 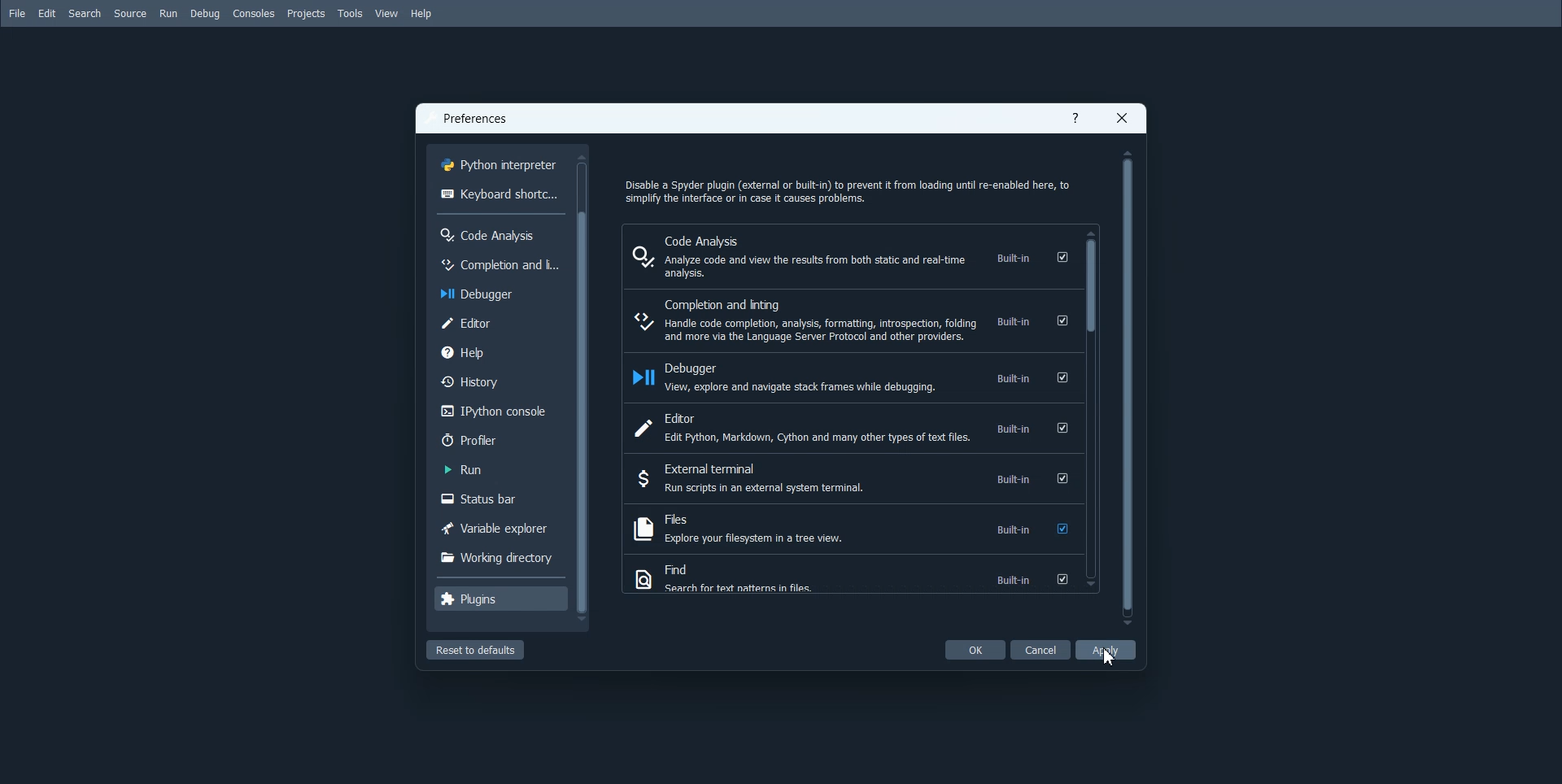 I want to click on Code Anakysis, so click(x=499, y=233).